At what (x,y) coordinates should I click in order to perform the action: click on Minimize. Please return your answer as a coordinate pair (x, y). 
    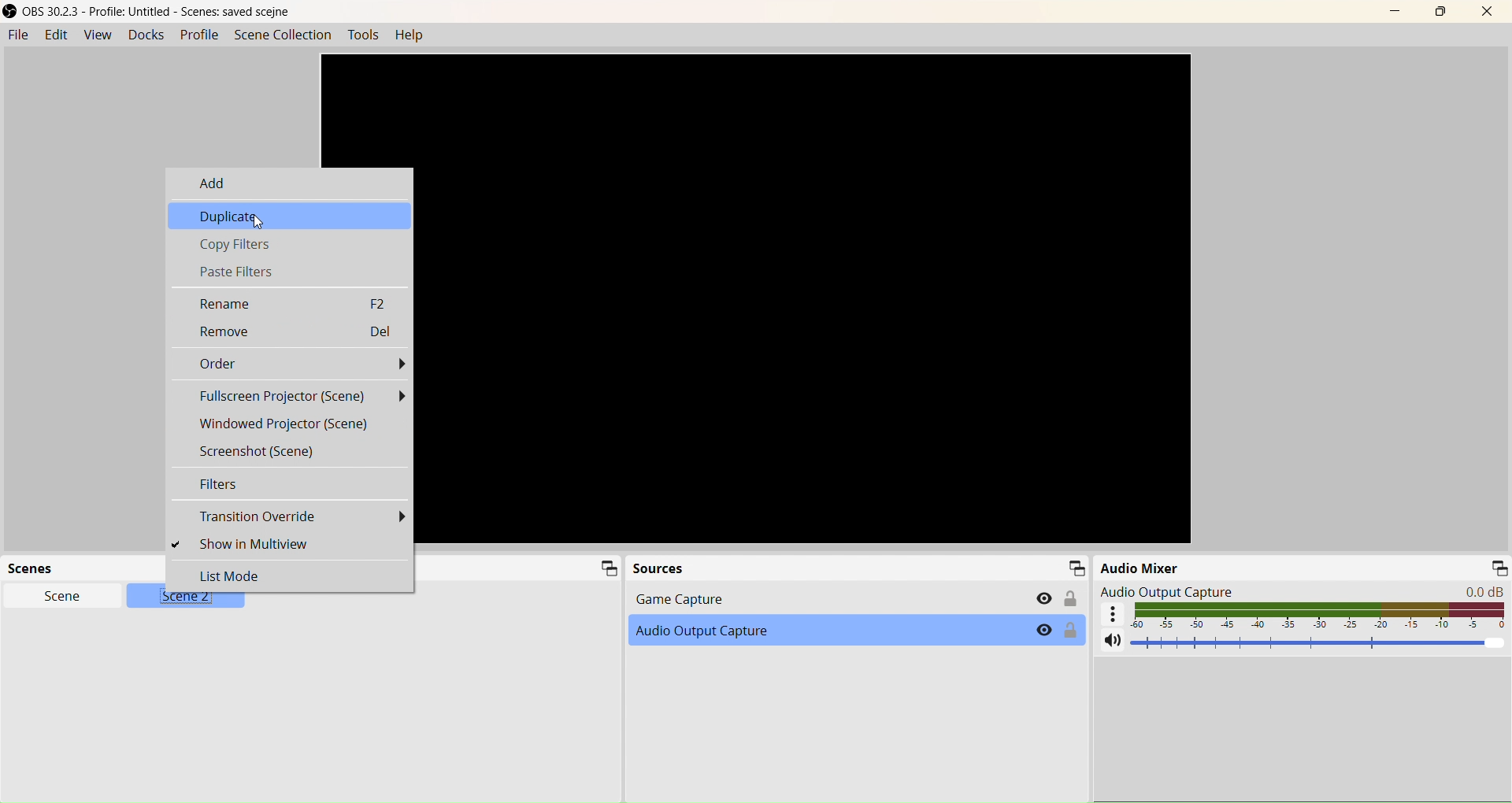
    Looking at the image, I should click on (1075, 567).